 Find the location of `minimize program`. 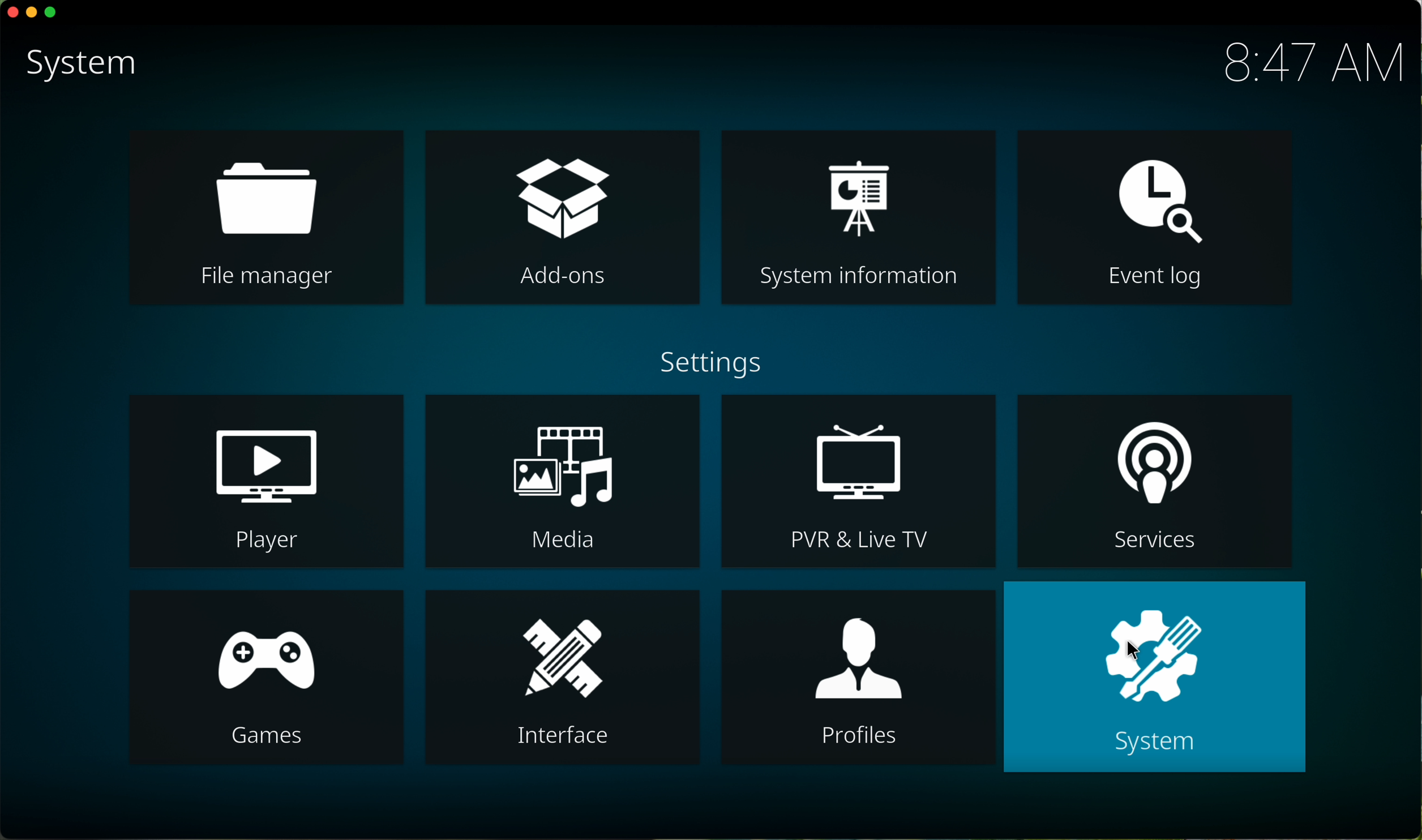

minimize program is located at coordinates (33, 13).